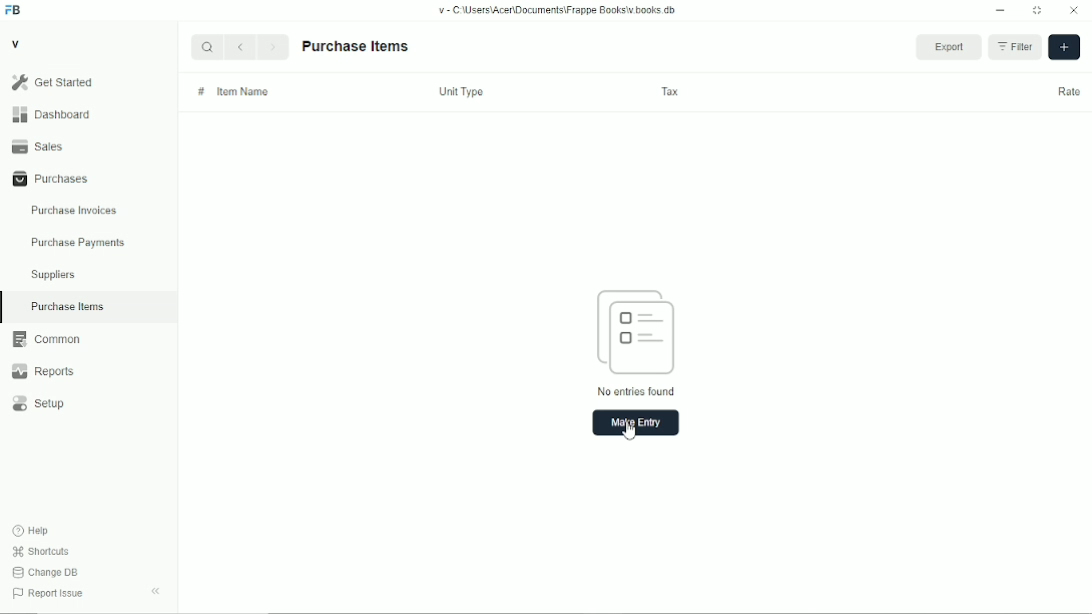 This screenshot has width=1092, height=614. I want to click on filter, so click(1015, 47).